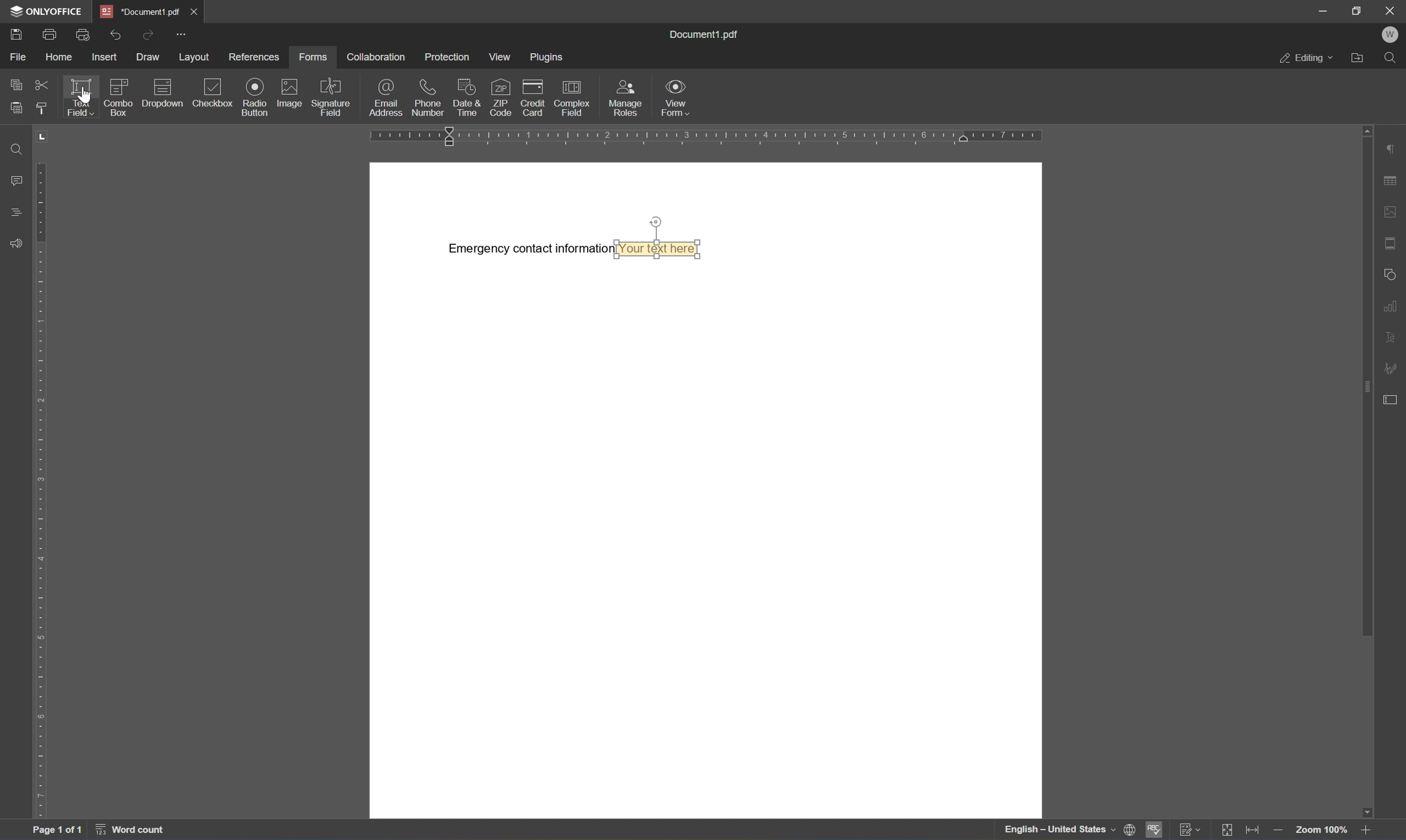 The height and width of the screenshot is (840, 1406). I want to click on page 1 of 1, so click(57, 831).